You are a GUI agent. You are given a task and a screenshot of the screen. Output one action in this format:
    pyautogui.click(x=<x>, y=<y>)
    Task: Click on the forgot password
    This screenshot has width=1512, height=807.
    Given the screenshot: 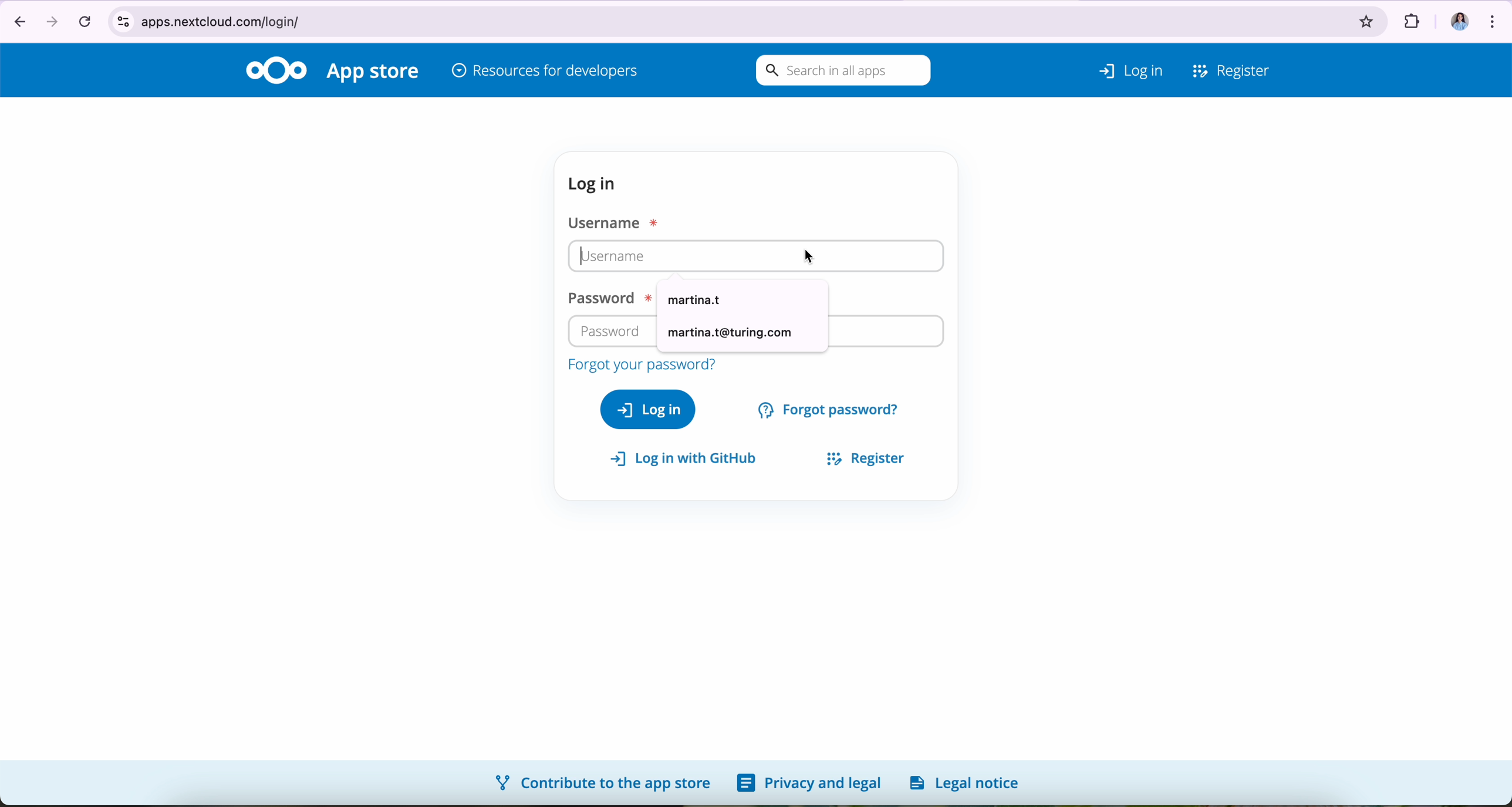 What is the action you would take?
    pyautogui.click(x=831, y=408)
    